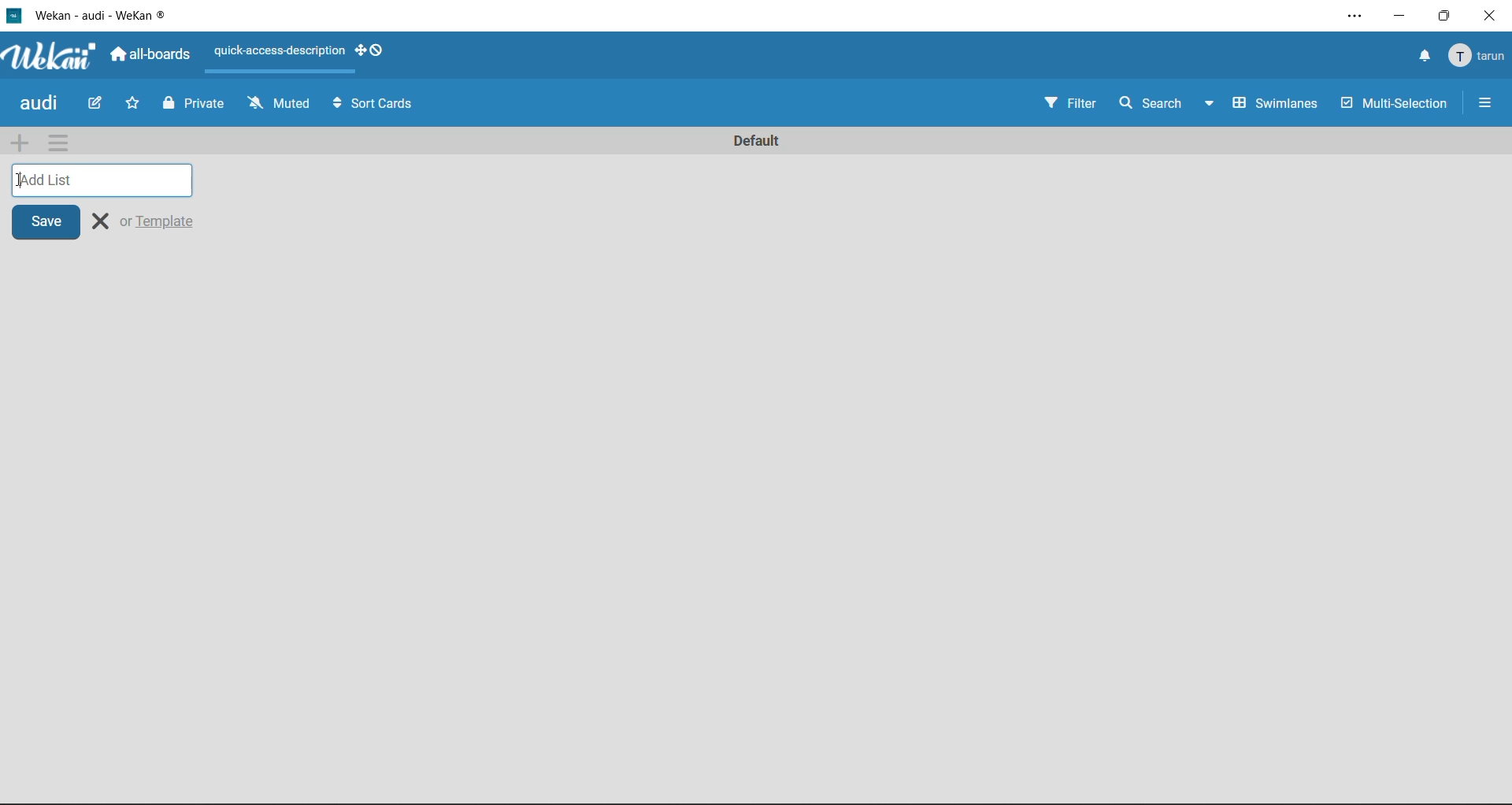 Image resolution: width=1512 pixels, height=805 pixels. Describe the element at coordinates (23, 180) in the screenshot. I see `cursor` at that location.